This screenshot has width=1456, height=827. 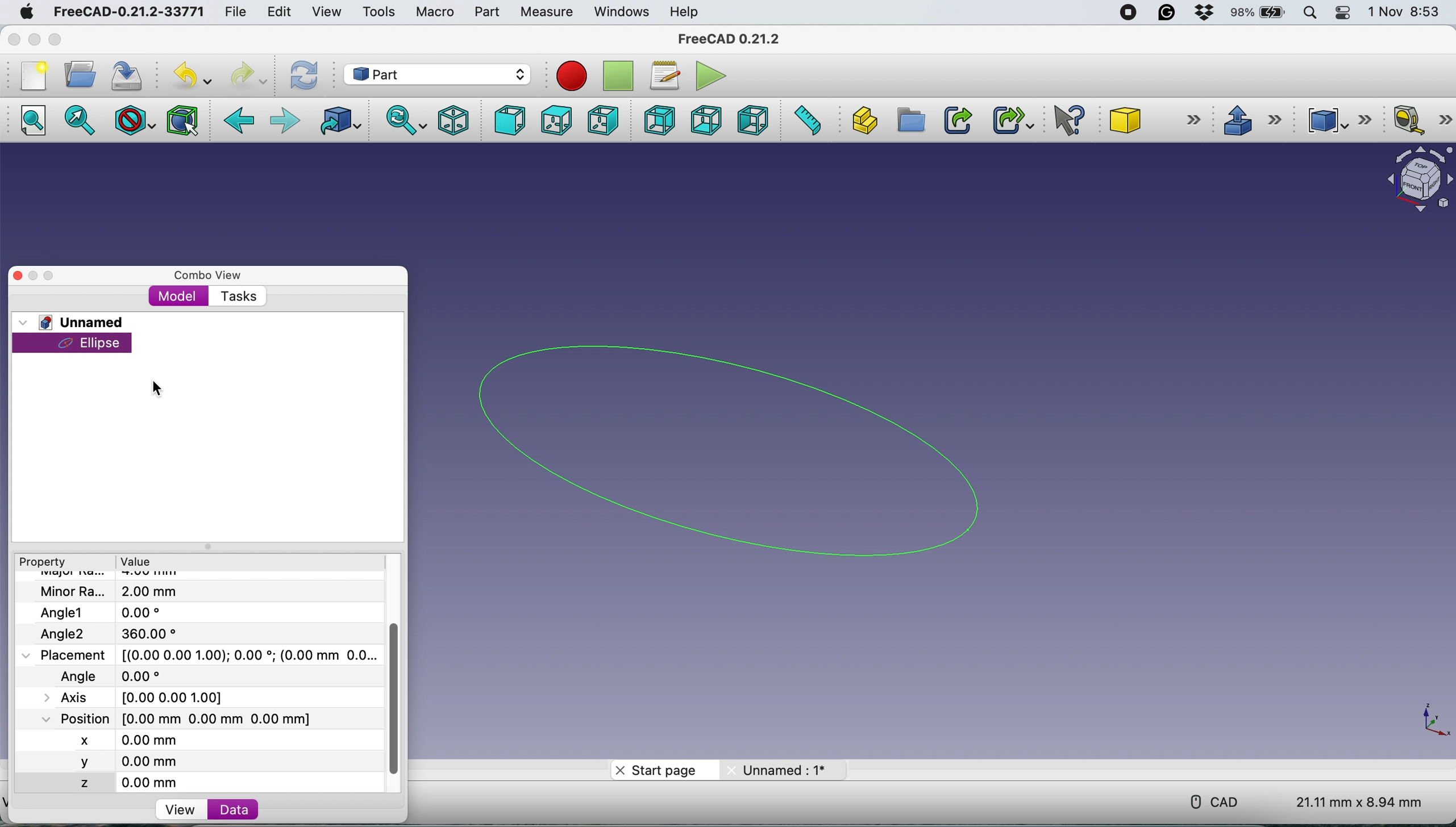 What do you see at coordinates (1072, 121) in the screenshot?
I see `what's this` at bounding box center [1072, 121].